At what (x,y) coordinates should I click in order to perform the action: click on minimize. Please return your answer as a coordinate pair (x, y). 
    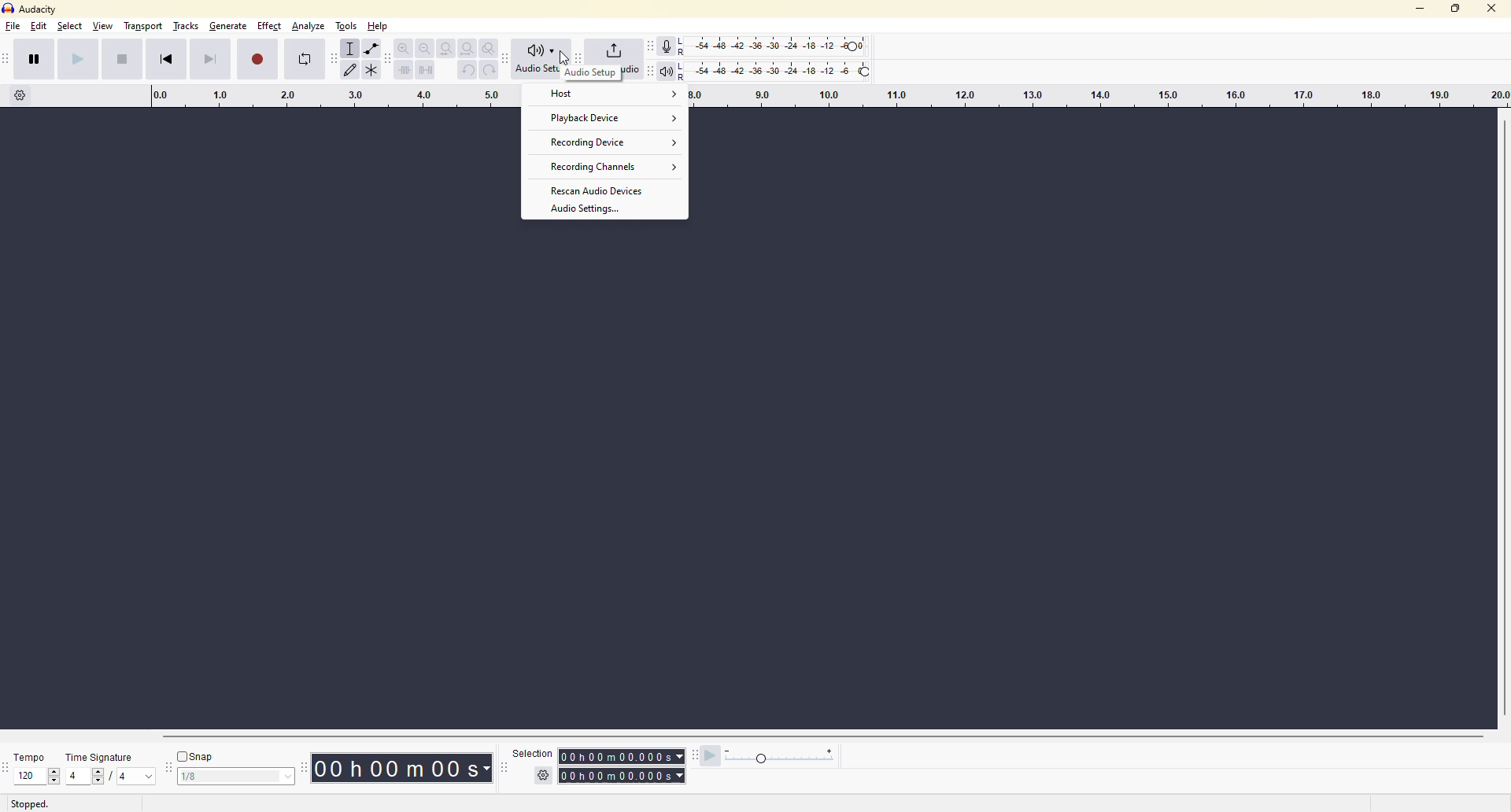
    Looking at the image, I should click on (1418, 10).